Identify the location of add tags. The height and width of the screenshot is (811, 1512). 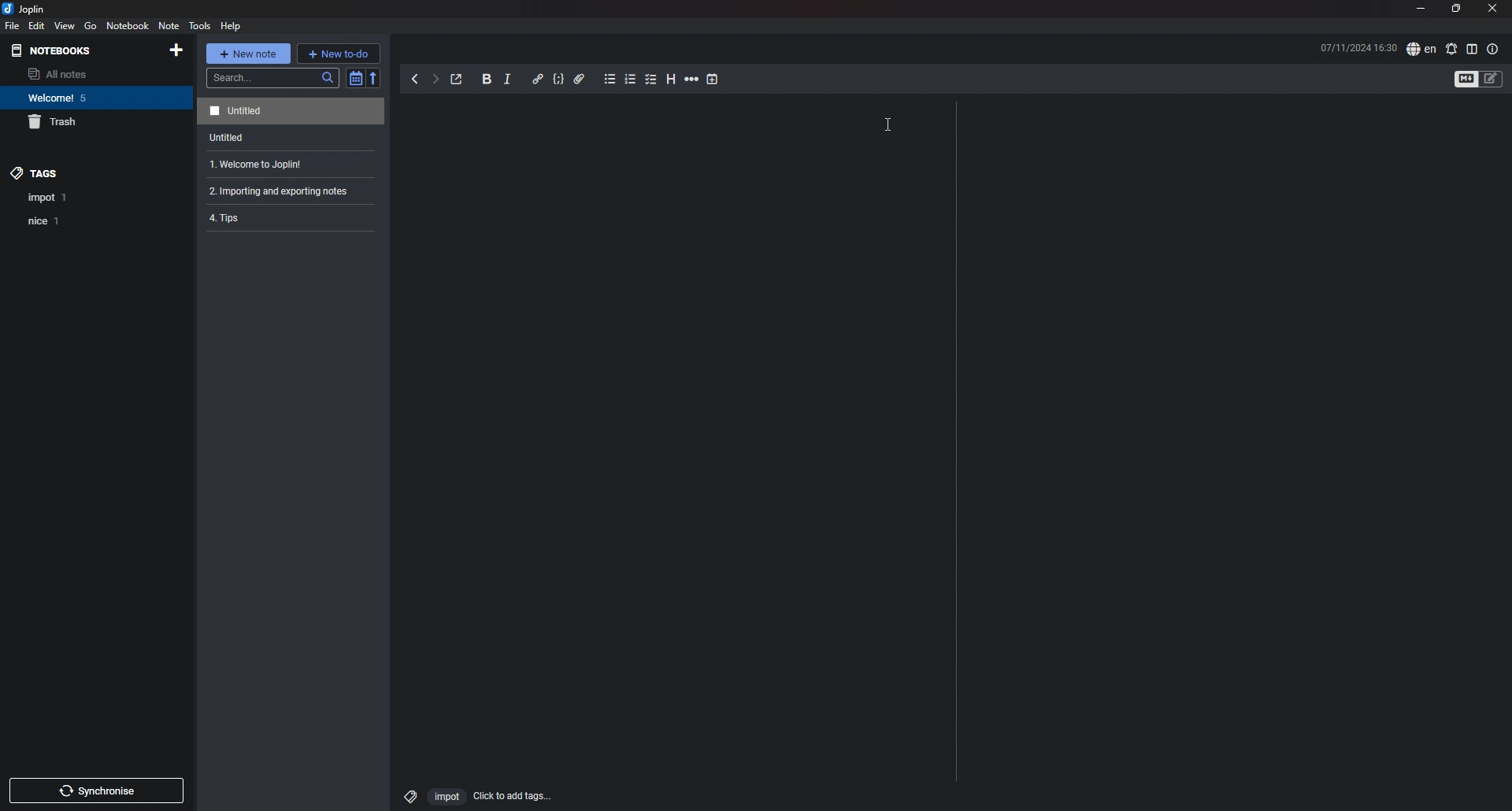
(513, 796).